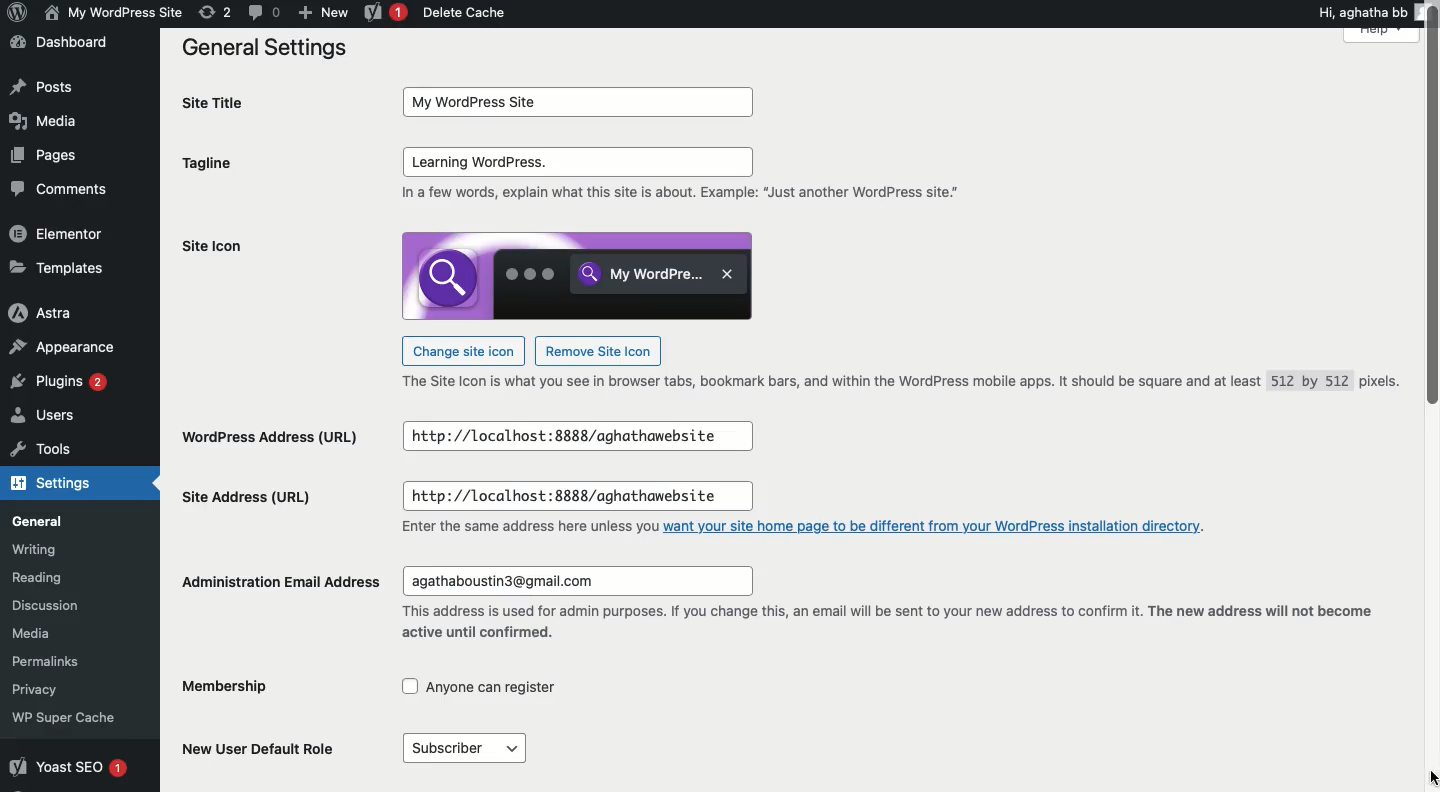 The height and width of the screenshot is (792, 1440). What do you see at coordinates (67, 765) in the screenshot?
I see ` Yoast SEO 1` at bounding box center [67, 765].